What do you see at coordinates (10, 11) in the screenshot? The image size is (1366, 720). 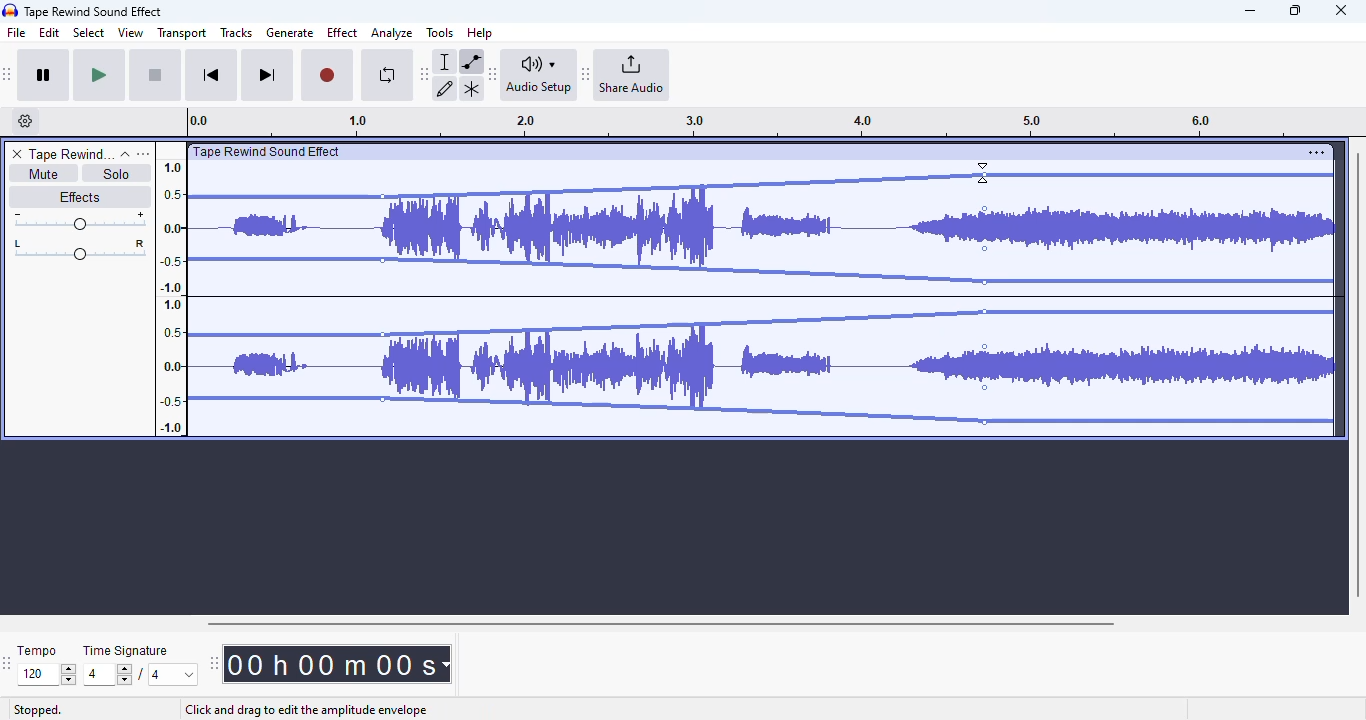 I see `Audacity logo` at bounding box center [10, 11].